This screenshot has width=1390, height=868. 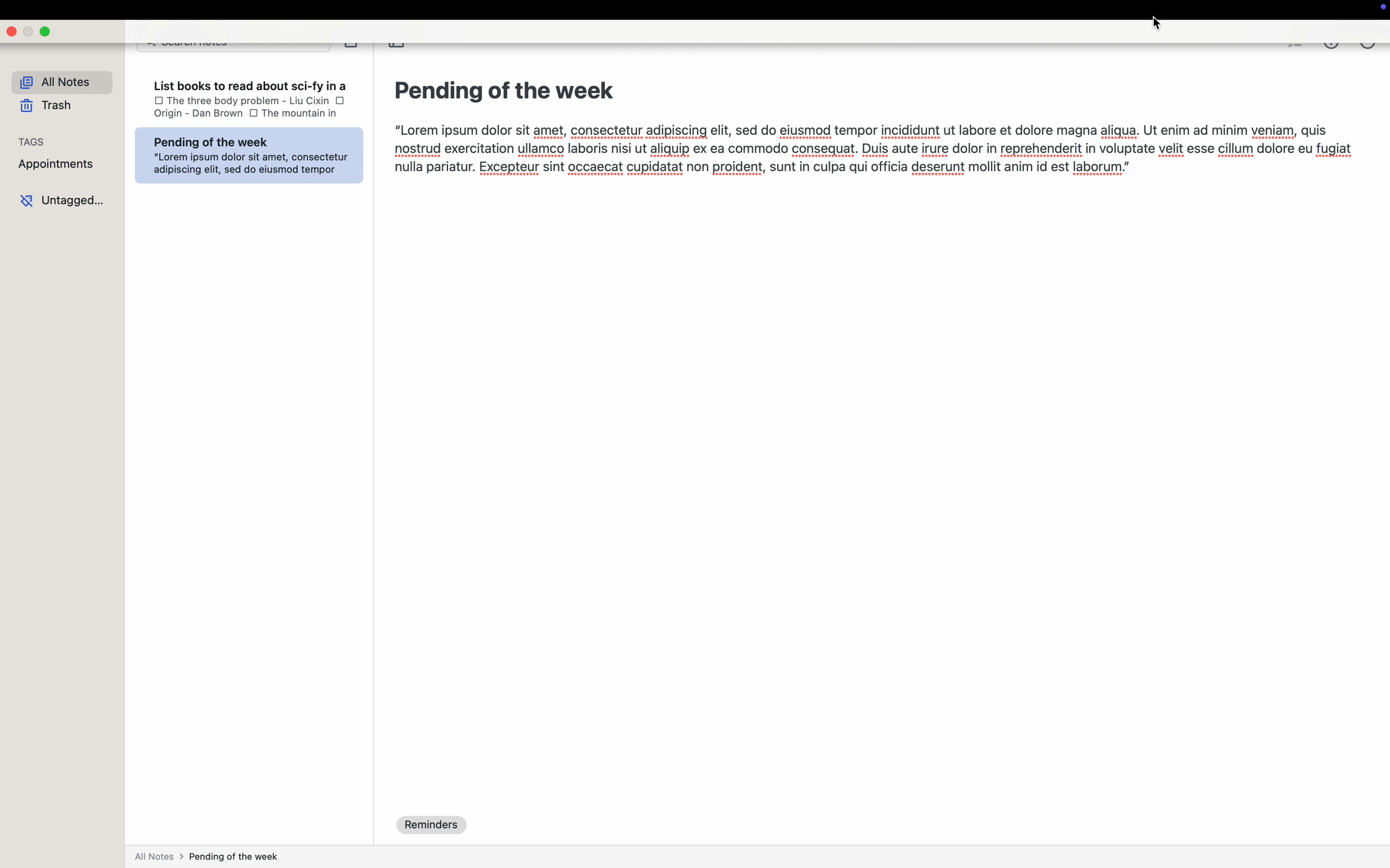 What do you see at coordinates (1157, 23) in the screenshot?
I see `cursor` at bounding box center [1157, 23].